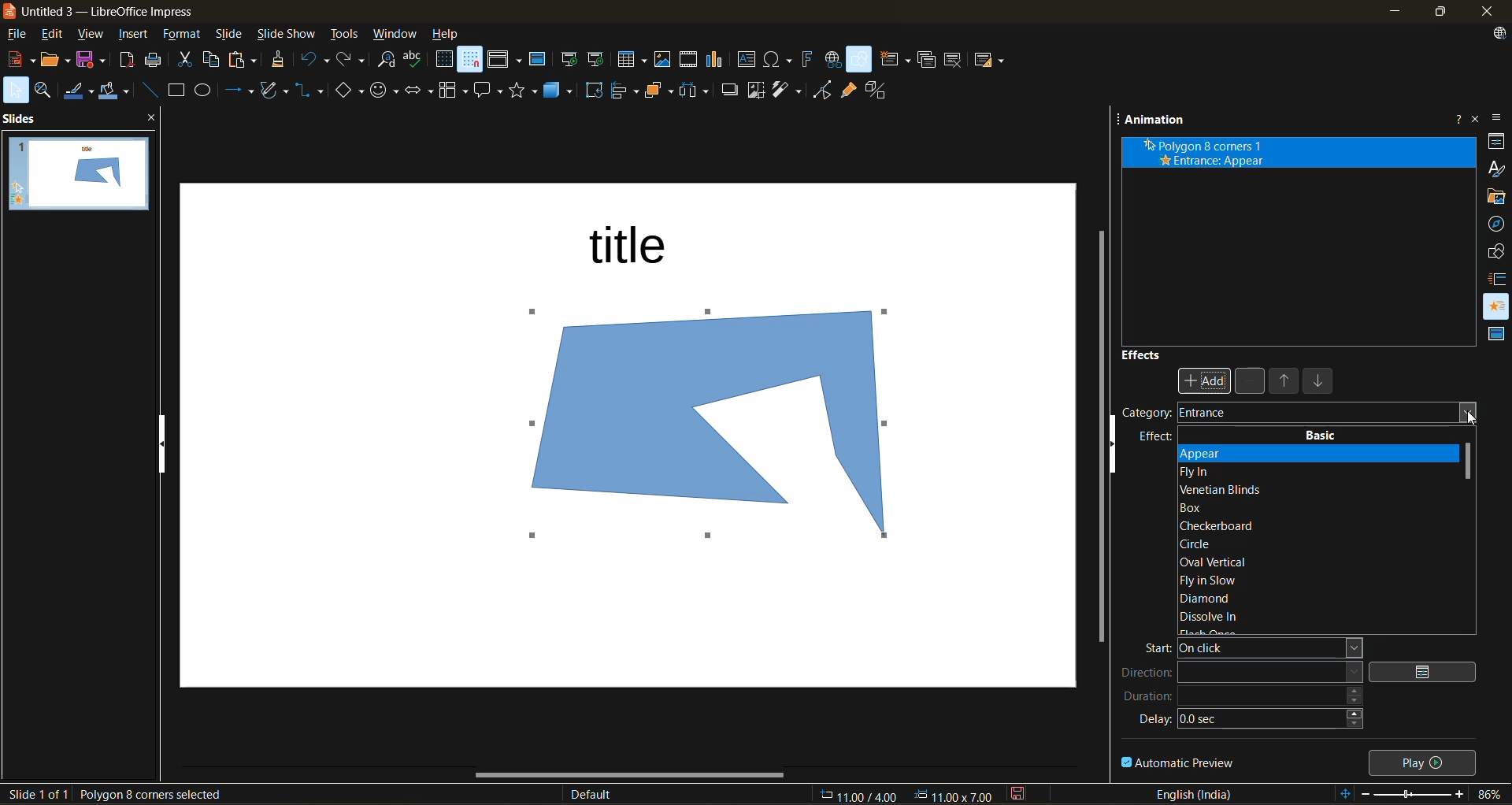 The image size is (1512, 805). What do you see at coordinates (661, 59) in the screenshot?
I see `insert image` at bounding box center [661, 59].